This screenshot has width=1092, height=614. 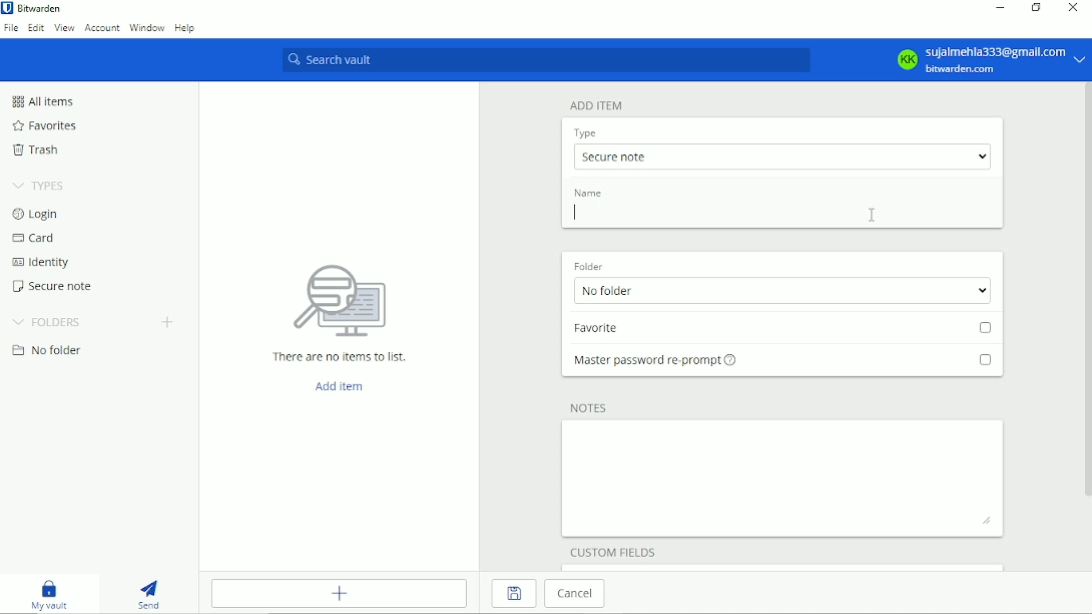 What do you see at coordinates (591, 407) in the screenshot?
I see `Notes` at bounding box center [591, 407].